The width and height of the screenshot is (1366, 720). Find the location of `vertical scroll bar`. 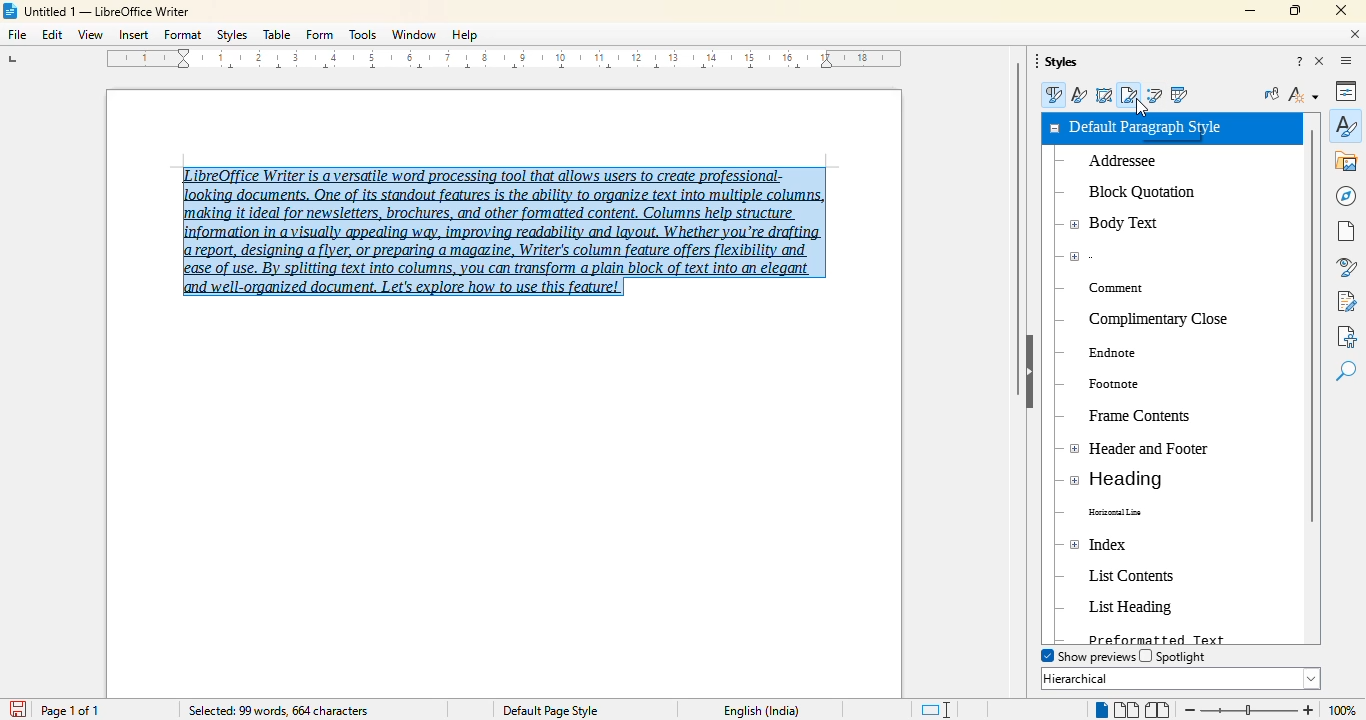

vertical scroll bar is located at coordinates (1315, 327).